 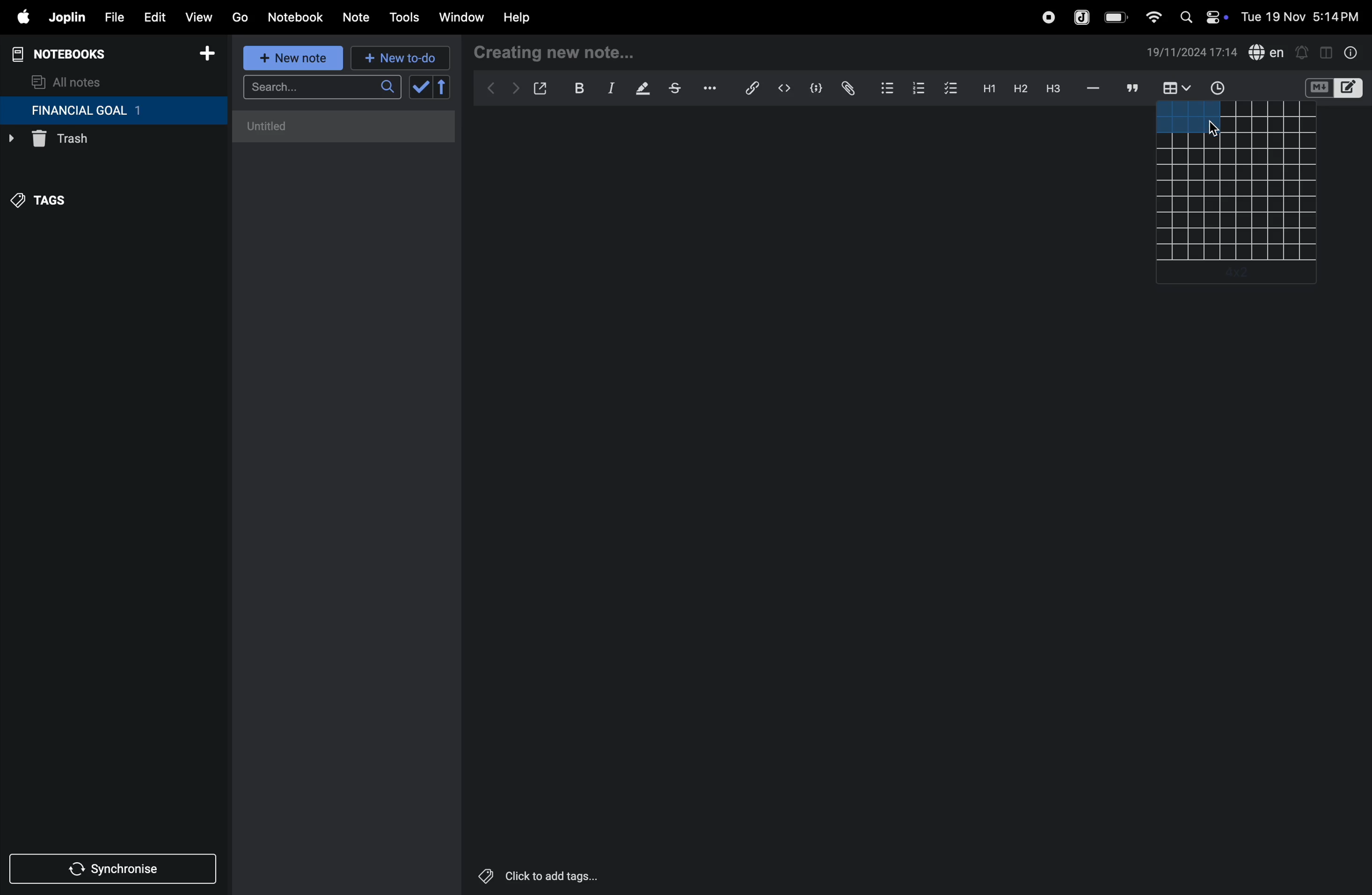 I want to click on stketchbook, so click(x=676, y=90).